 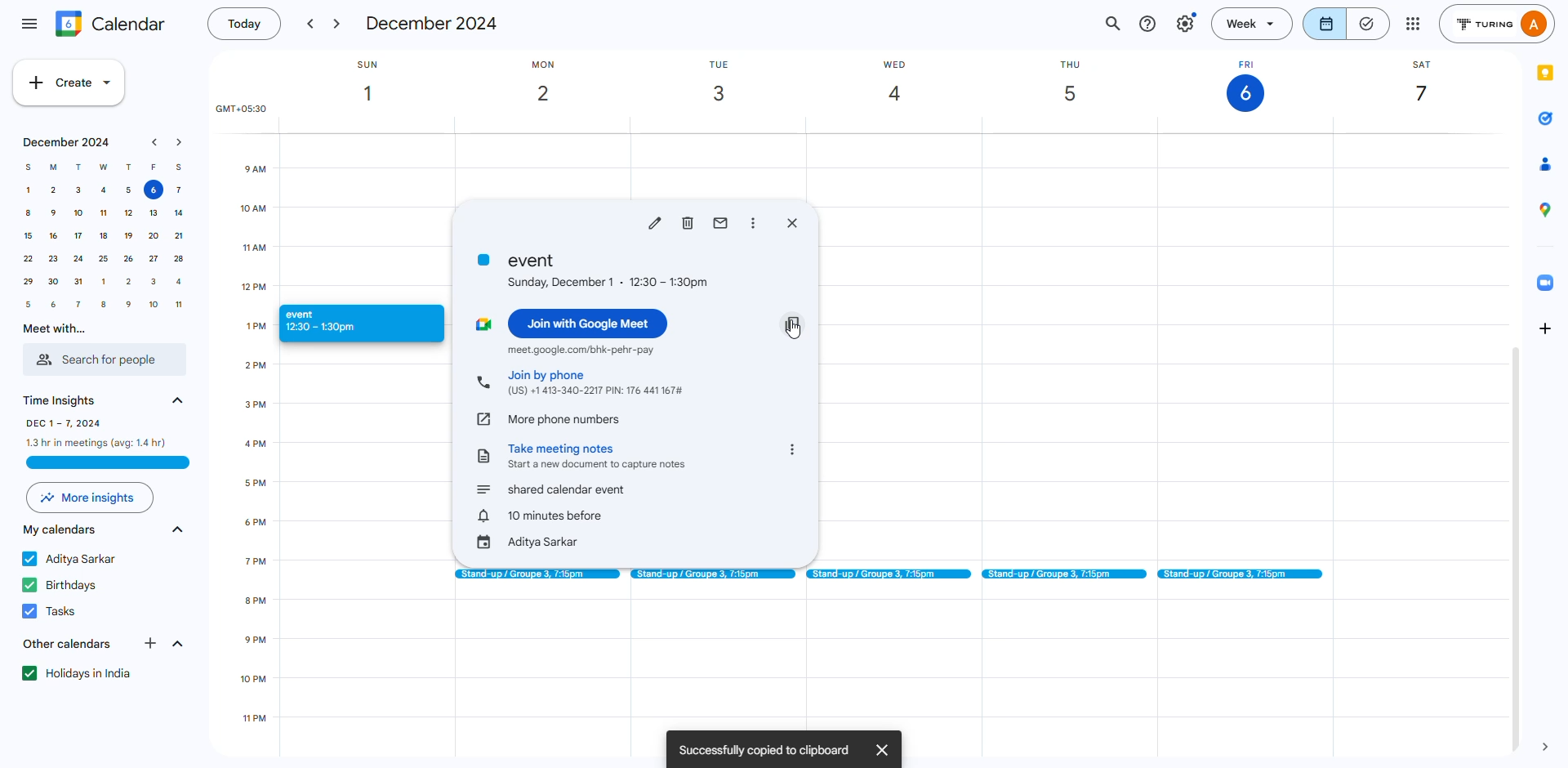 What do you see at coordinates (792, 450) in the screenshot?
I see `more` at bounding box center [792, 450].